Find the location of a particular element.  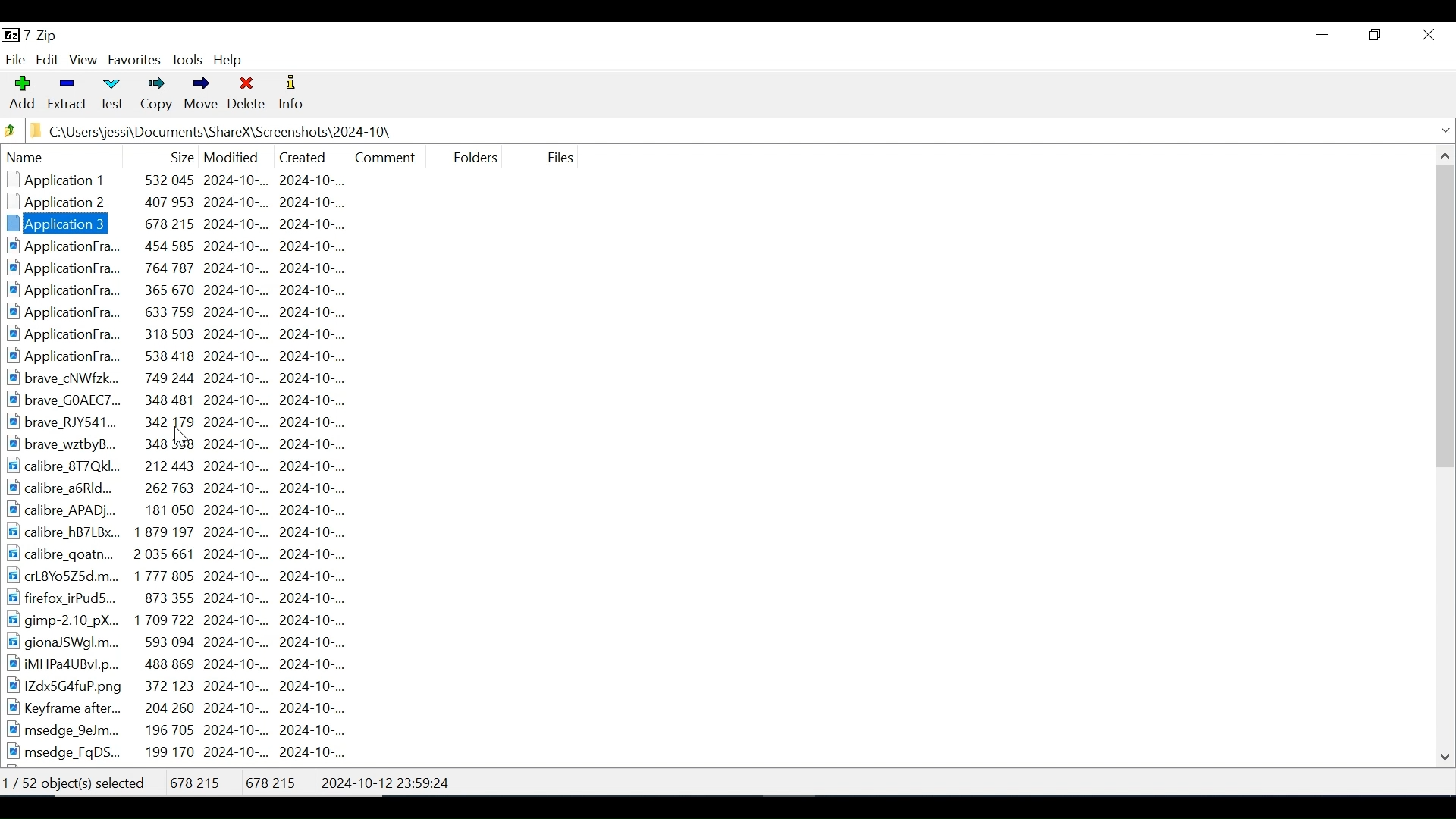

ApplicationFra... 318 503 2024-10-.. 2024-10-... is located at coordinates (185, 334).